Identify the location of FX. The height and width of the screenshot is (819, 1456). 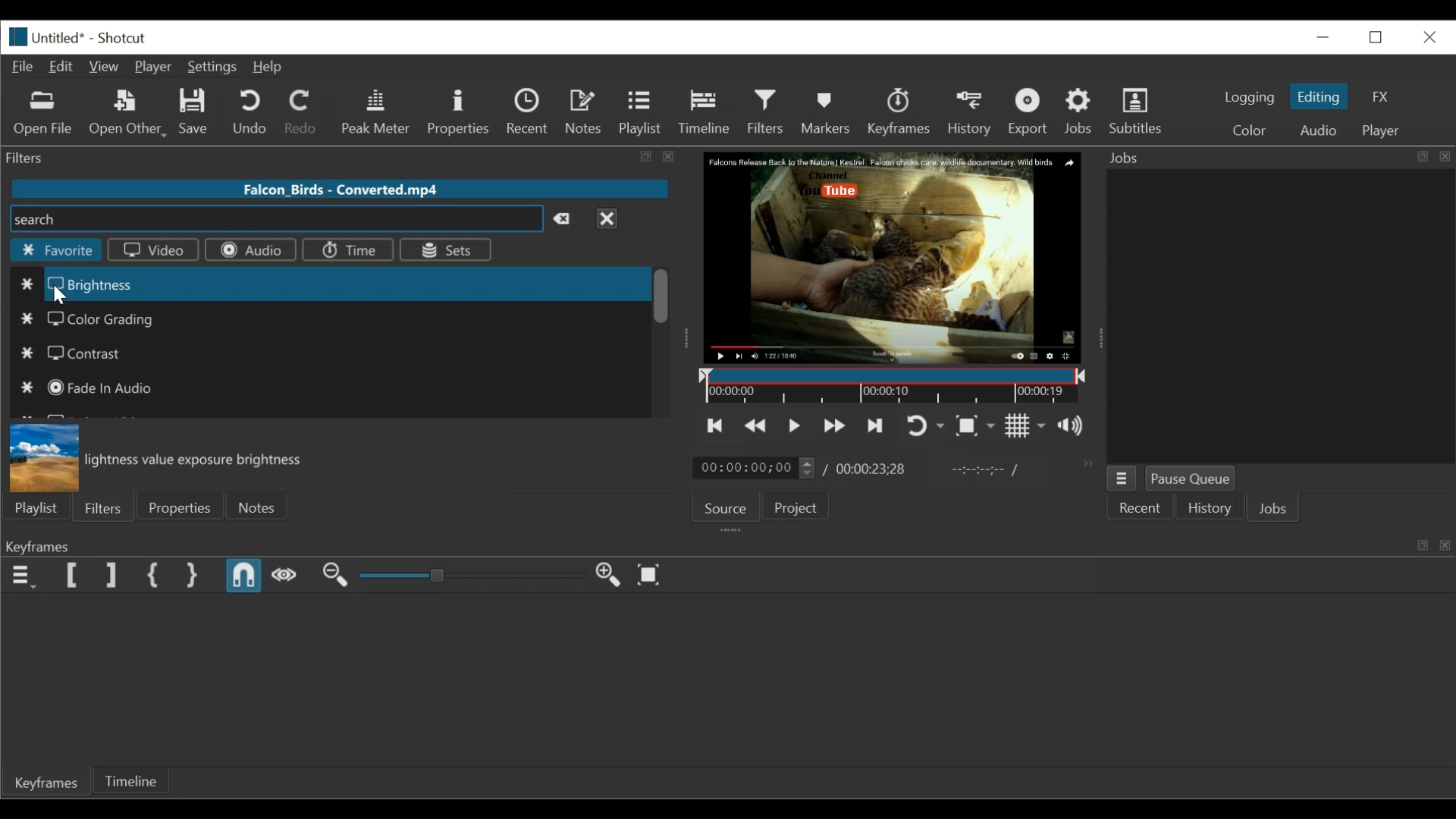
(1380, 97).